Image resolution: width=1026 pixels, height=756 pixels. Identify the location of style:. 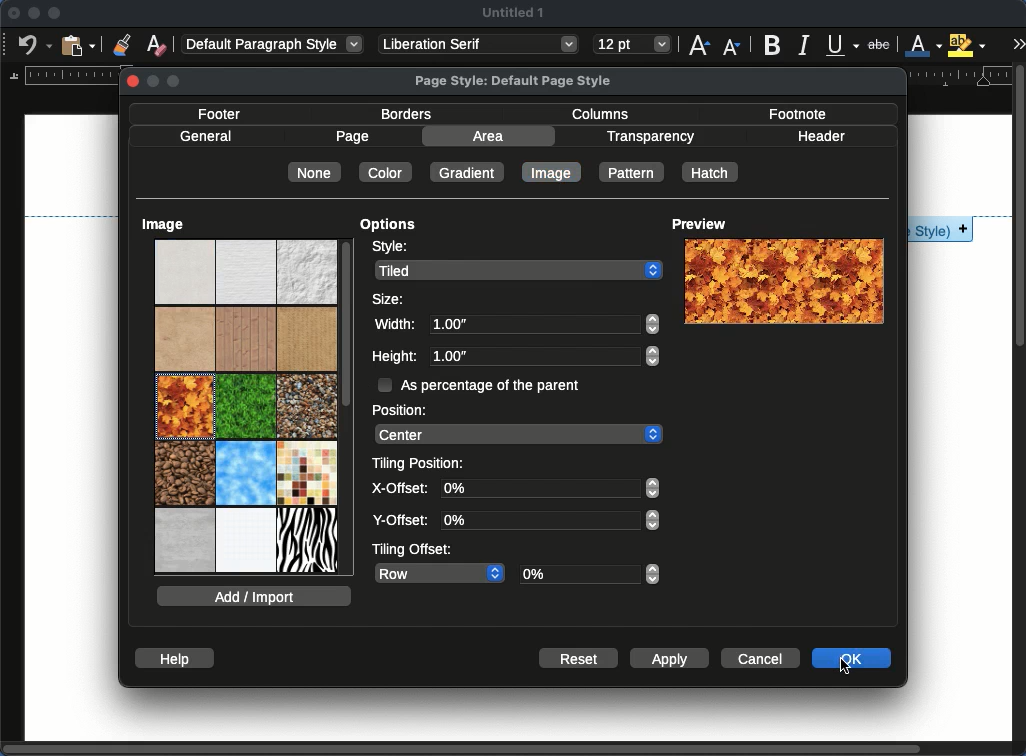
(399, 247).